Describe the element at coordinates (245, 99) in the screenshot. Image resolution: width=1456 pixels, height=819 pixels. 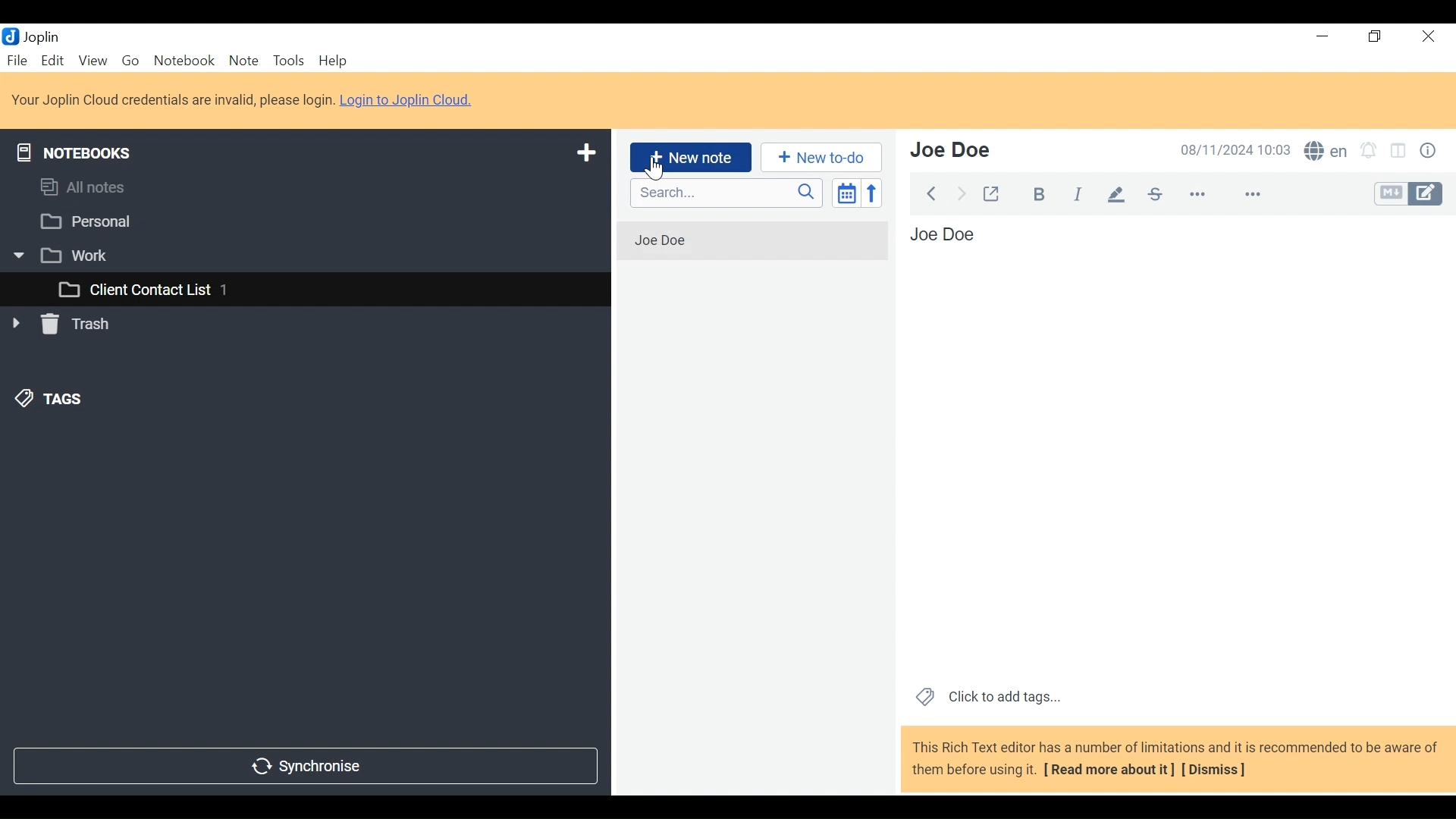
I see `Your Joplin Cloud credentials are invalid, please login. Login to Joplin Cloud.` at that location.